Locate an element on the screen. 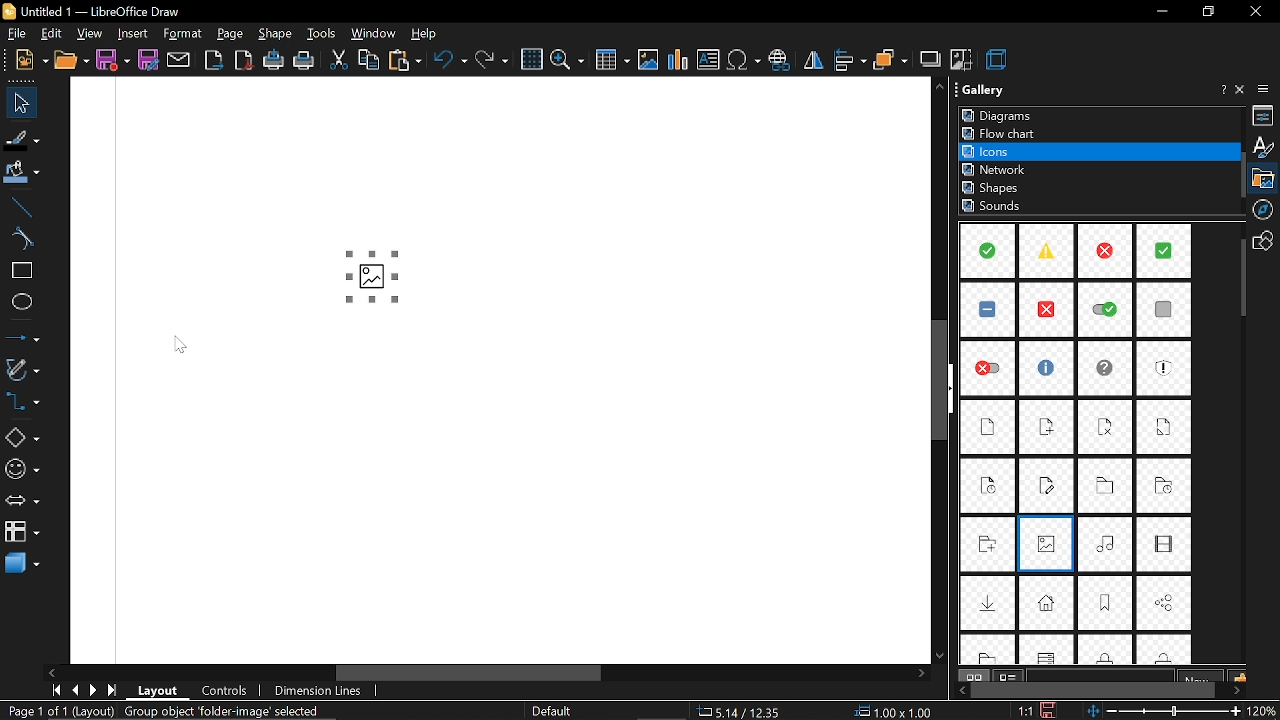  styles is located at coordinates (1263, 147).